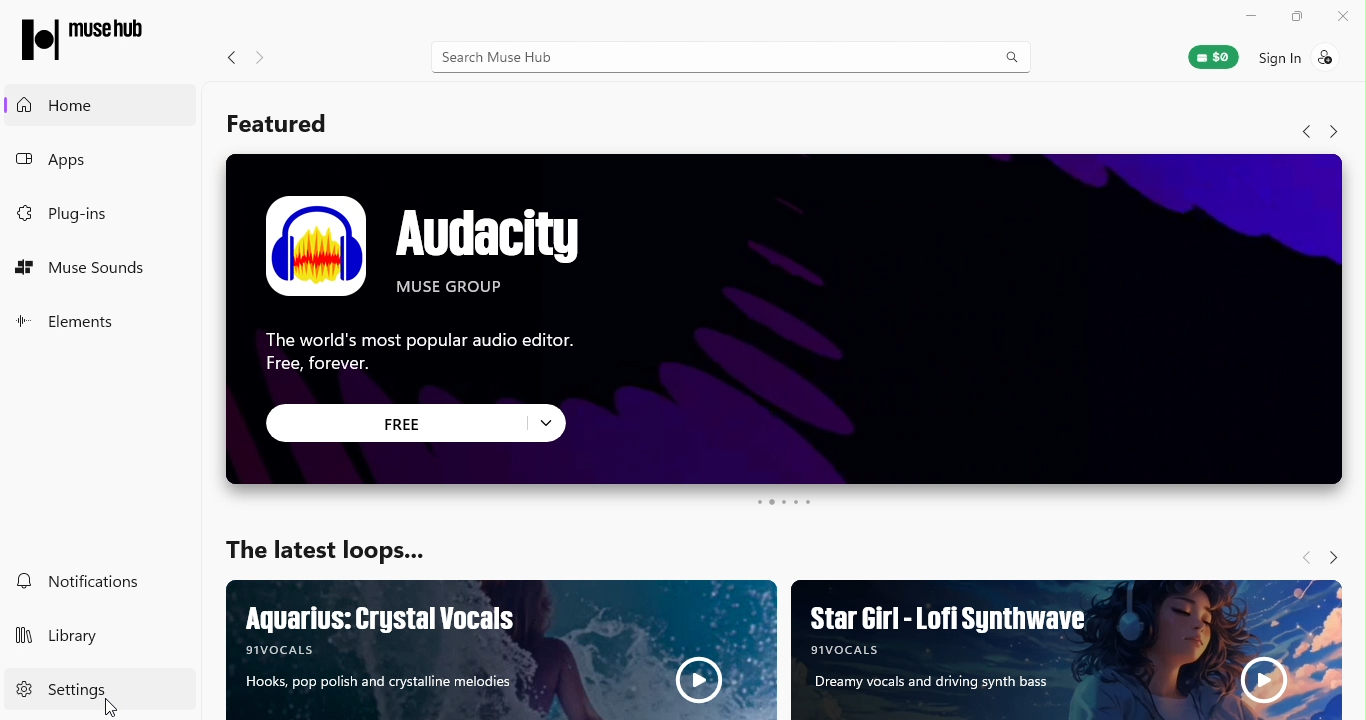 The image size is (1366, 720). What do you see at coordinates (1309, 61) in the screenshot?
I see `Sign in` at bounding box center [1309, 61].